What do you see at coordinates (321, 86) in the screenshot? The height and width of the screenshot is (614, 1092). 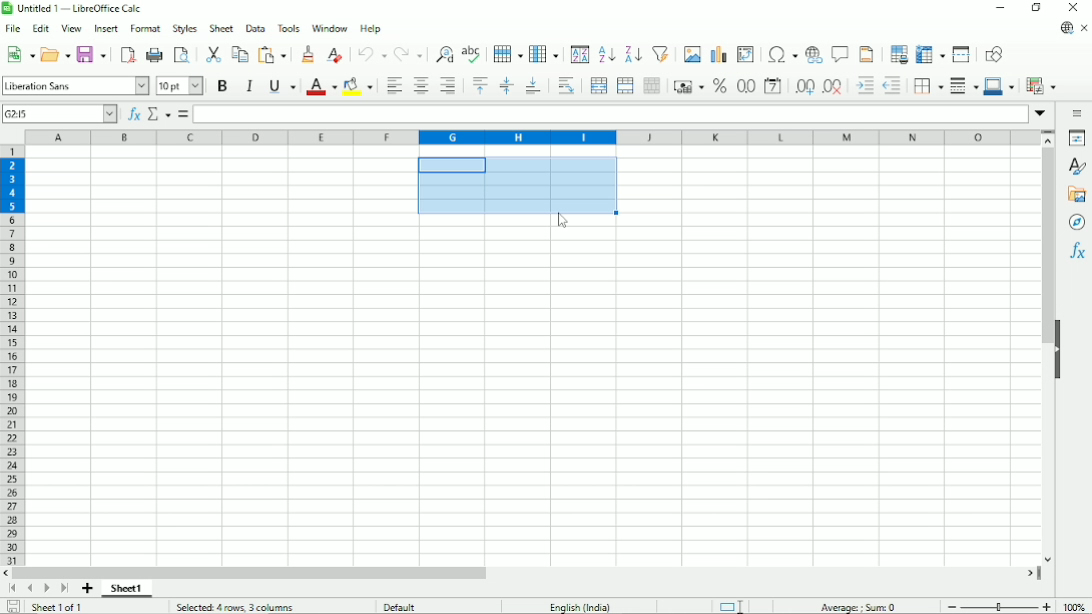 I see `Text color` at bounding box center [321, 86].